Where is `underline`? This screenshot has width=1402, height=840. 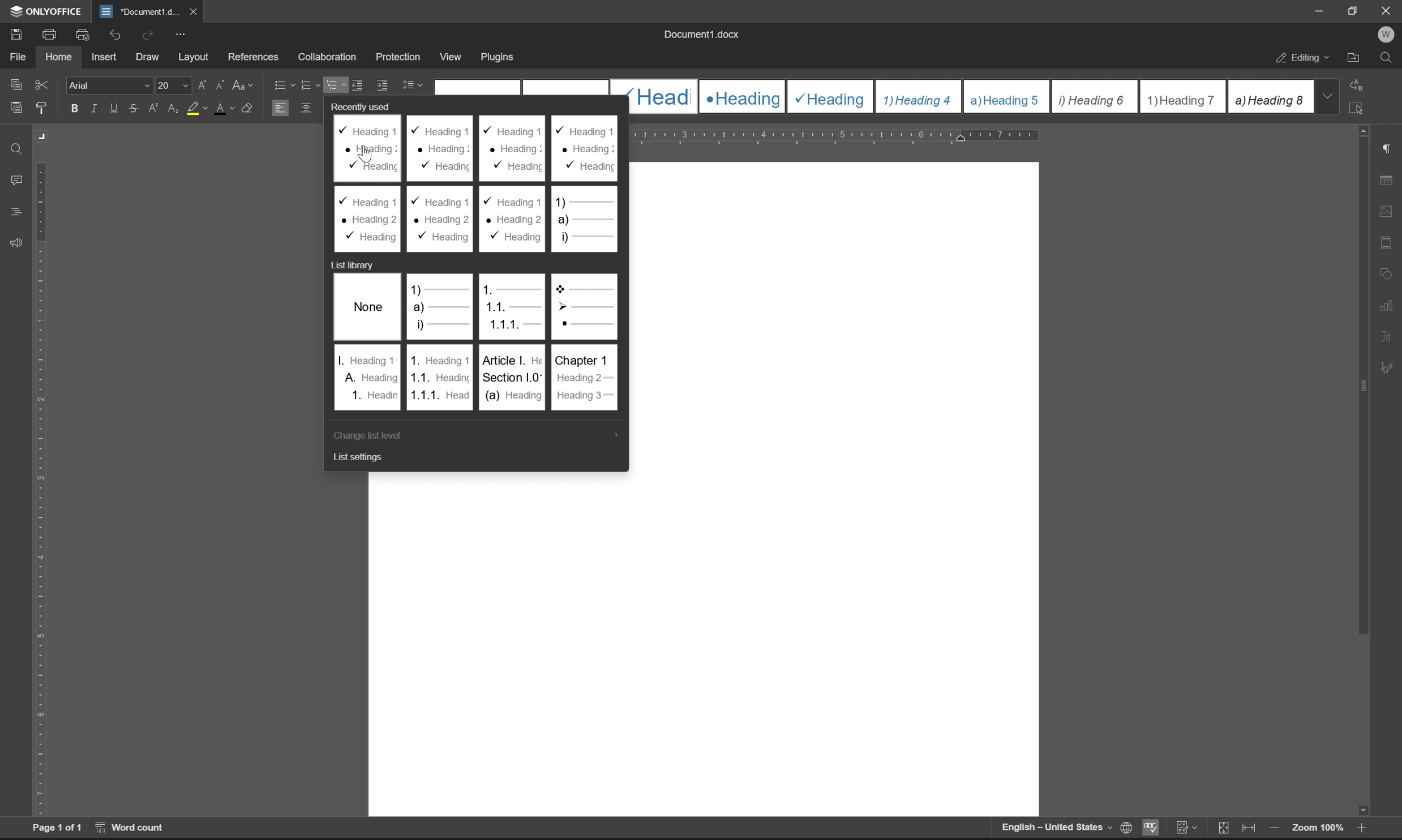 underline is located at coordinates (115, 108).